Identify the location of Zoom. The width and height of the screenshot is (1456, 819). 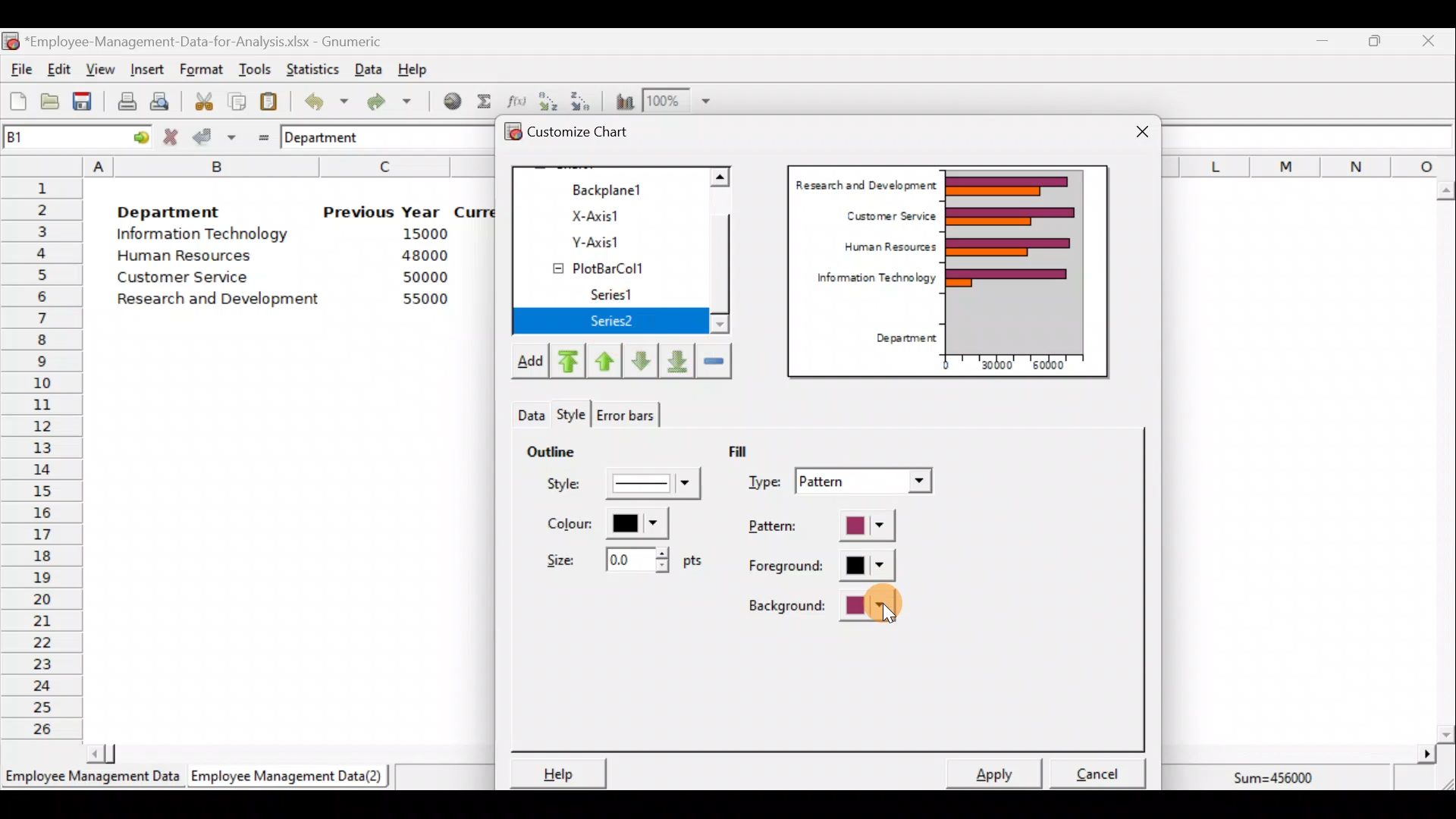
(678, 101).